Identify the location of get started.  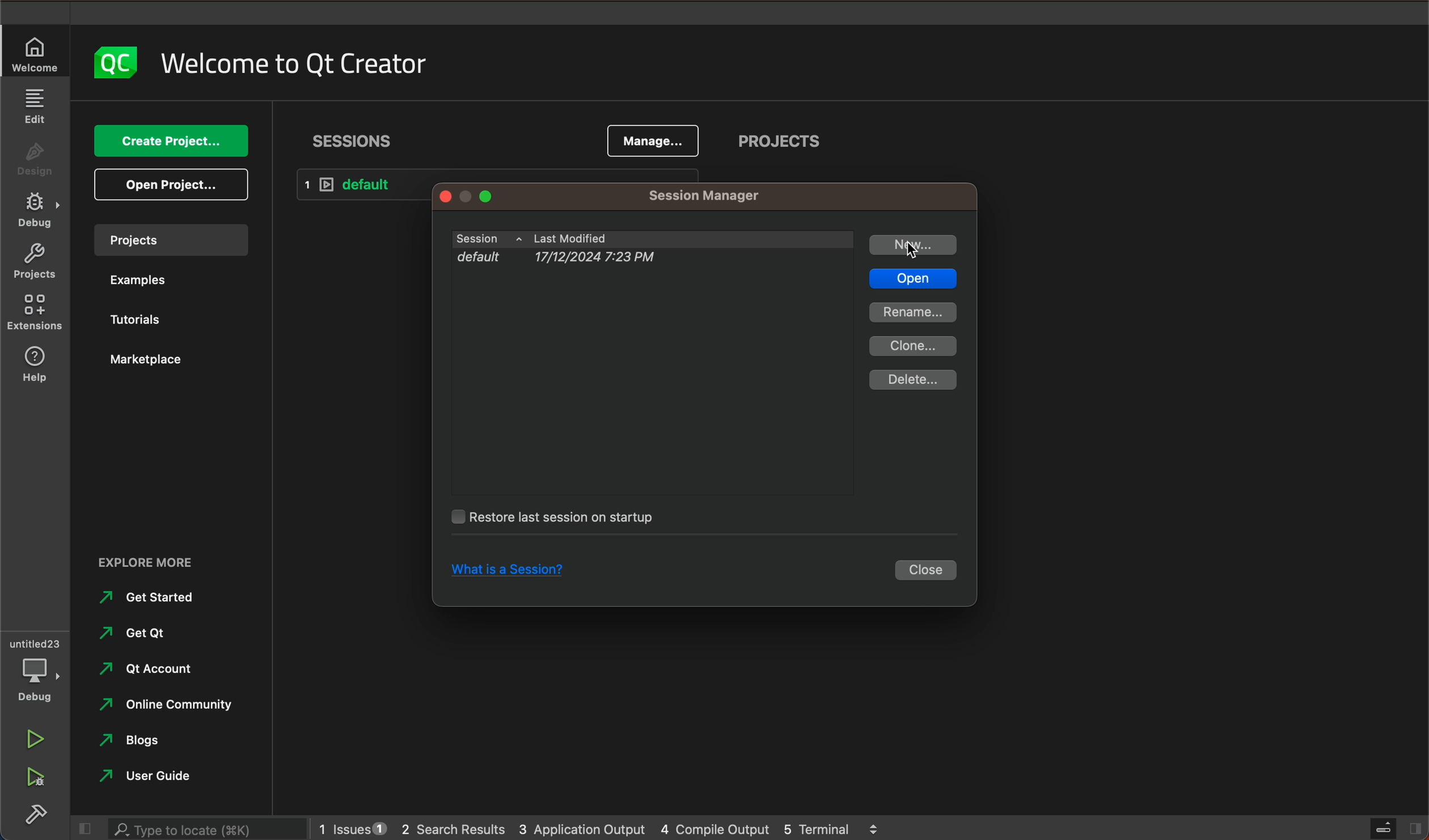
(153, 597).